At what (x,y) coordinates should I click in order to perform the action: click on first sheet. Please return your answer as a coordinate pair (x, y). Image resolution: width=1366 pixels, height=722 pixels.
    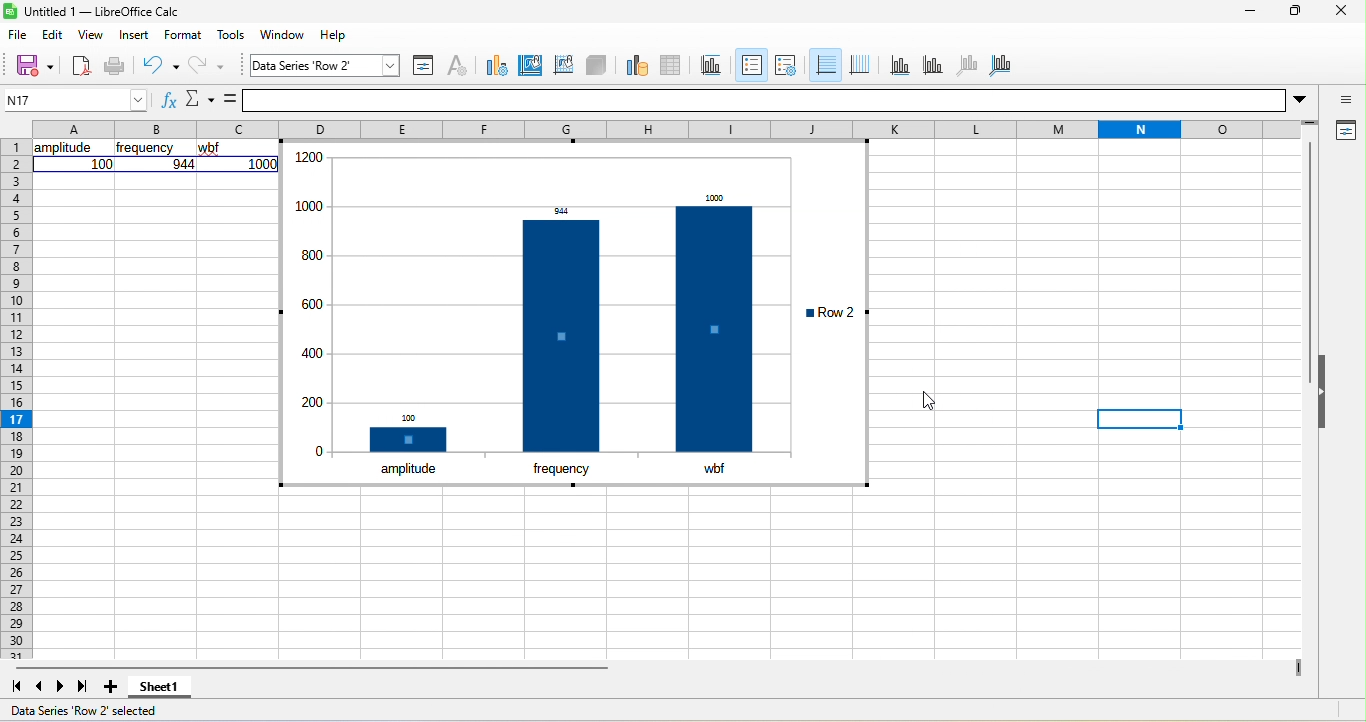
    Looking at the image, I should click on (17, 687).